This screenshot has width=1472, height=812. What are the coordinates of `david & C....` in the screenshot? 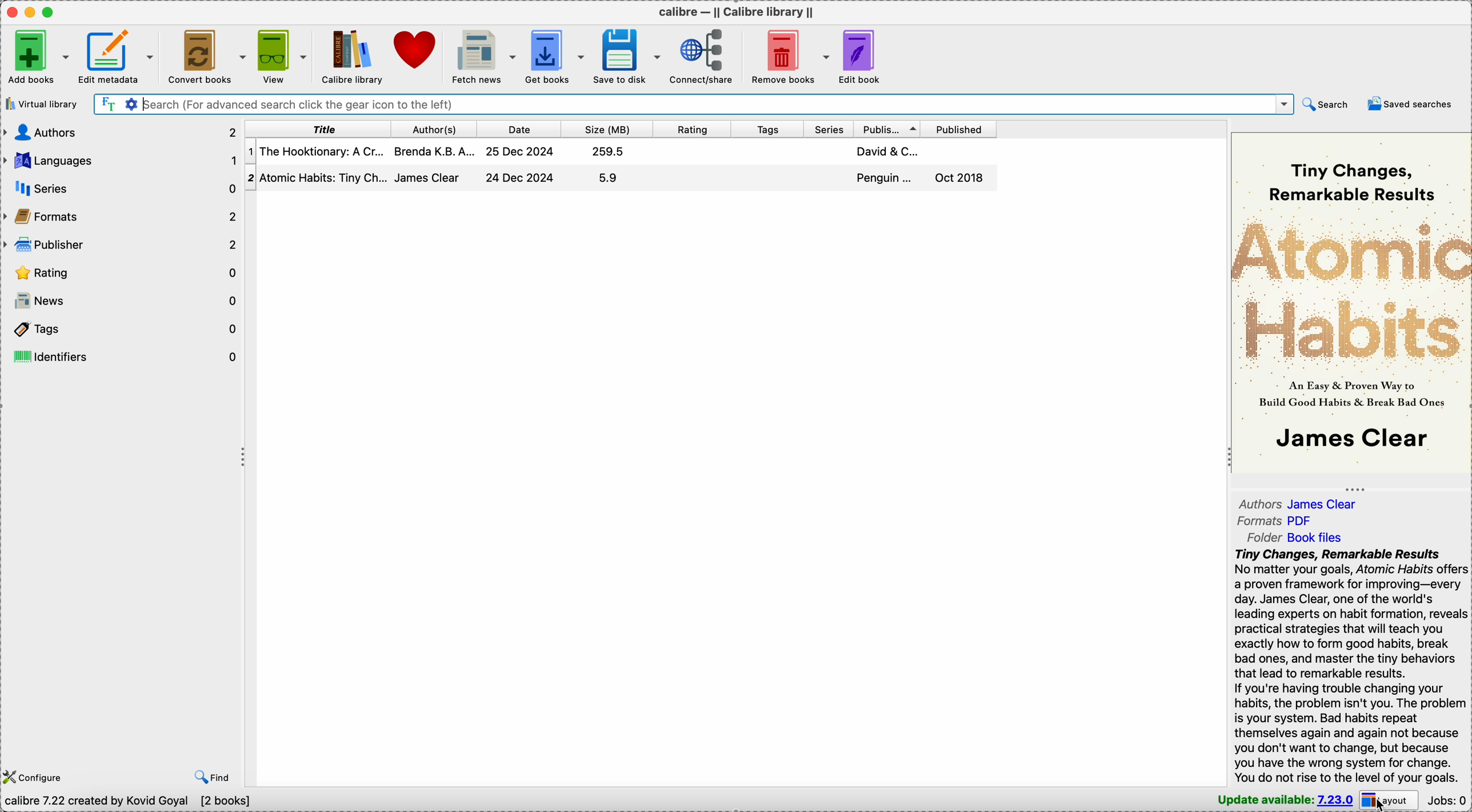 It's located at (887, 151).